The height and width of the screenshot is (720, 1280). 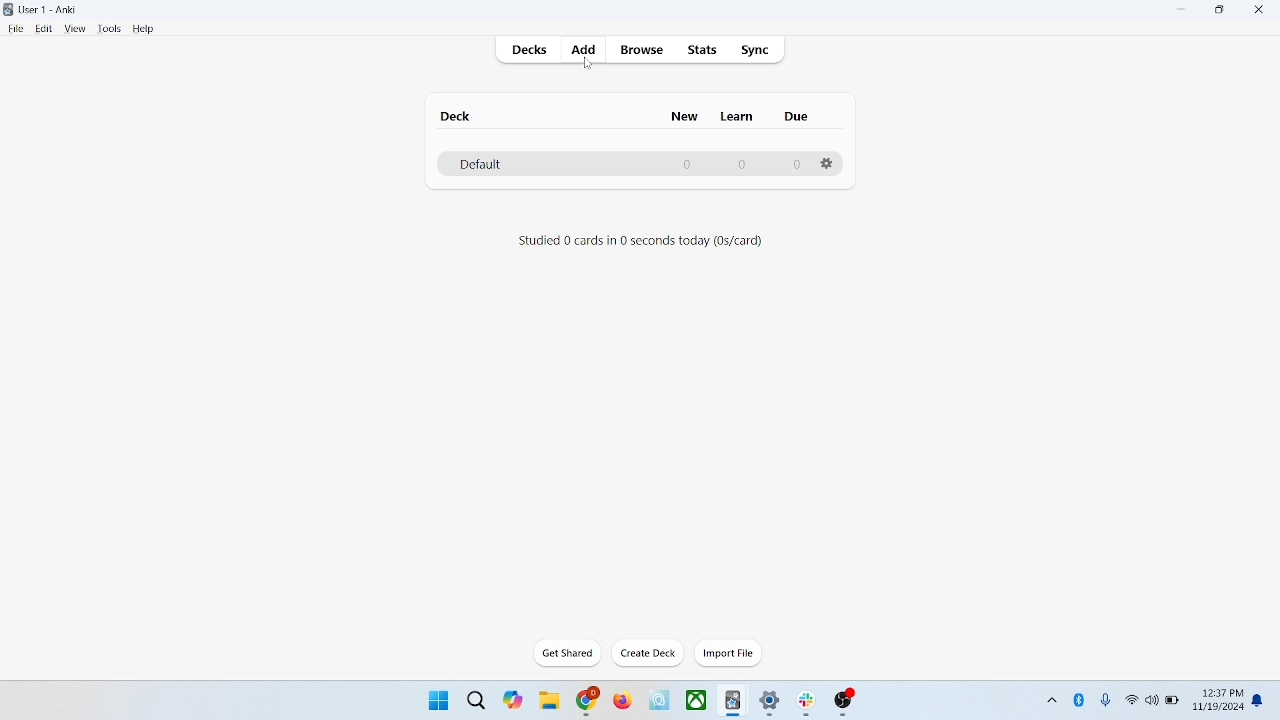 I want to click on x-box, so click(x=697, y=700).